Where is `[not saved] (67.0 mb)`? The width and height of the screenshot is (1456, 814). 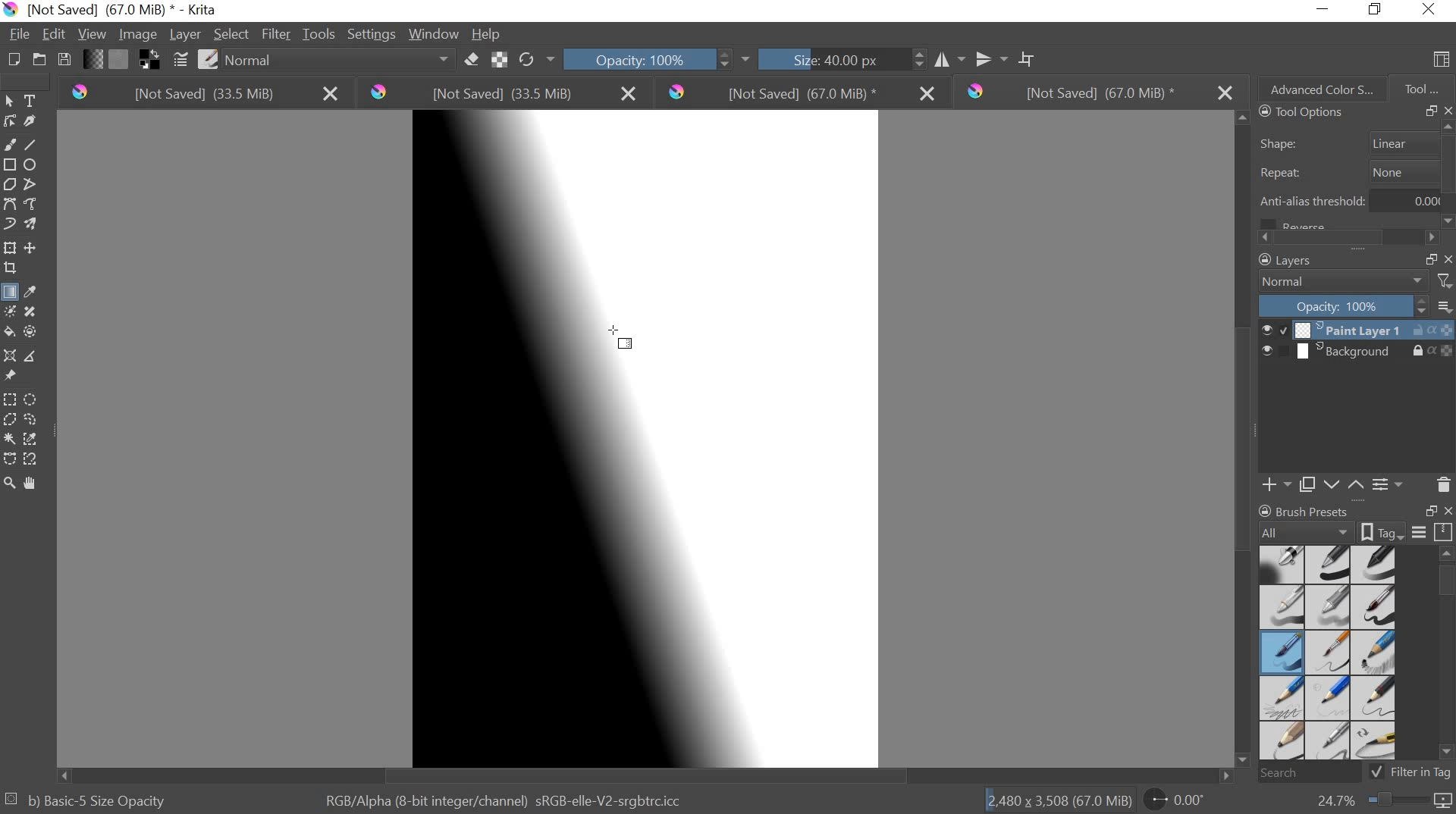
[not saved] (67.0 mb) is located at coordinates (800, 92).